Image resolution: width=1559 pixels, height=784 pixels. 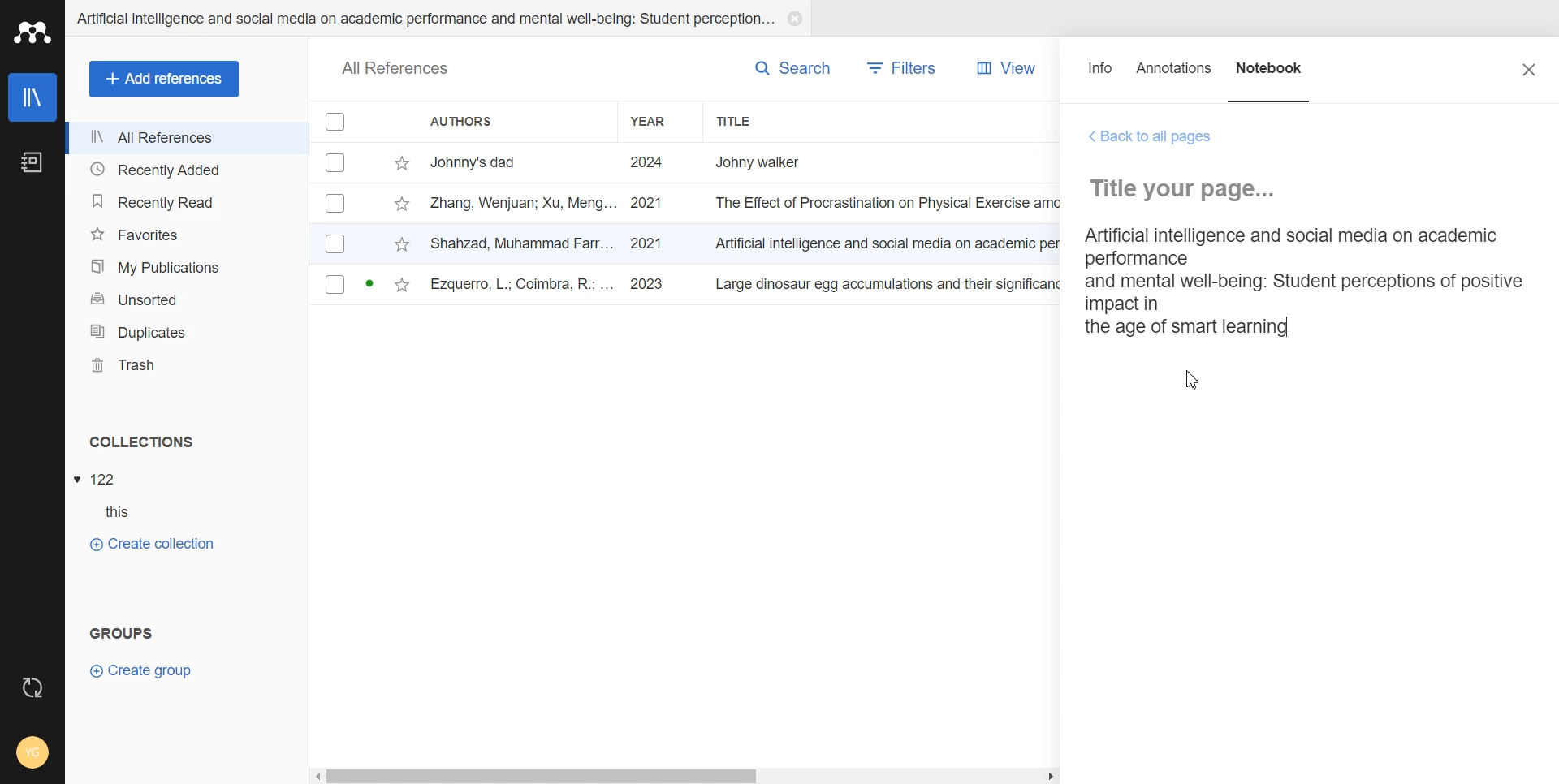 I want to click on 122, so click(x=105, y=480).